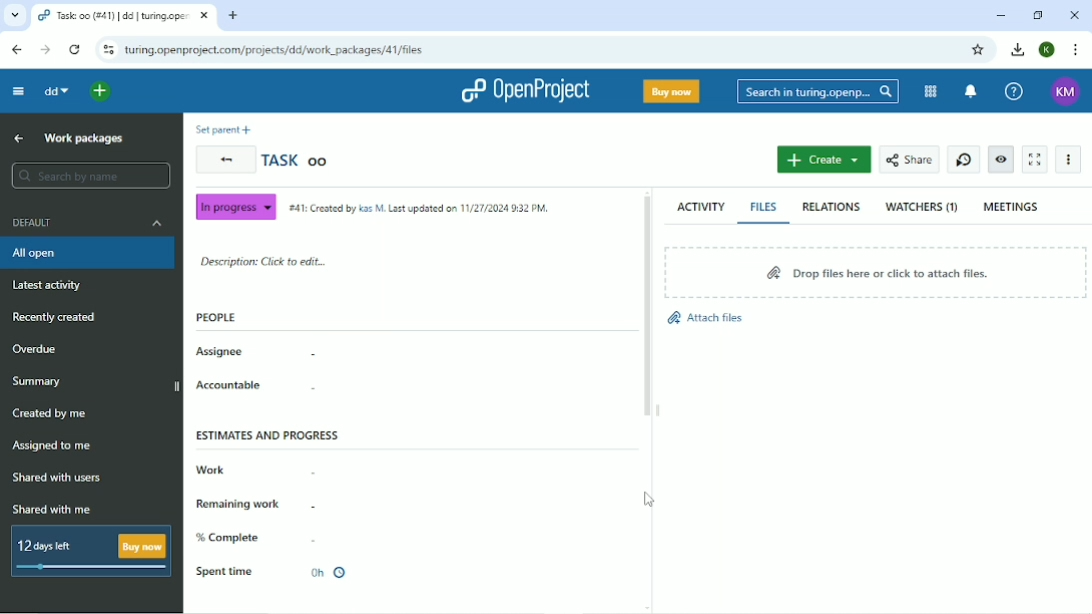 This screenshot has height=614, width=1092. What do you see at coordinates (672, 92) in the screenshot?
I see `Buy now` at bounding box center [672, 92].